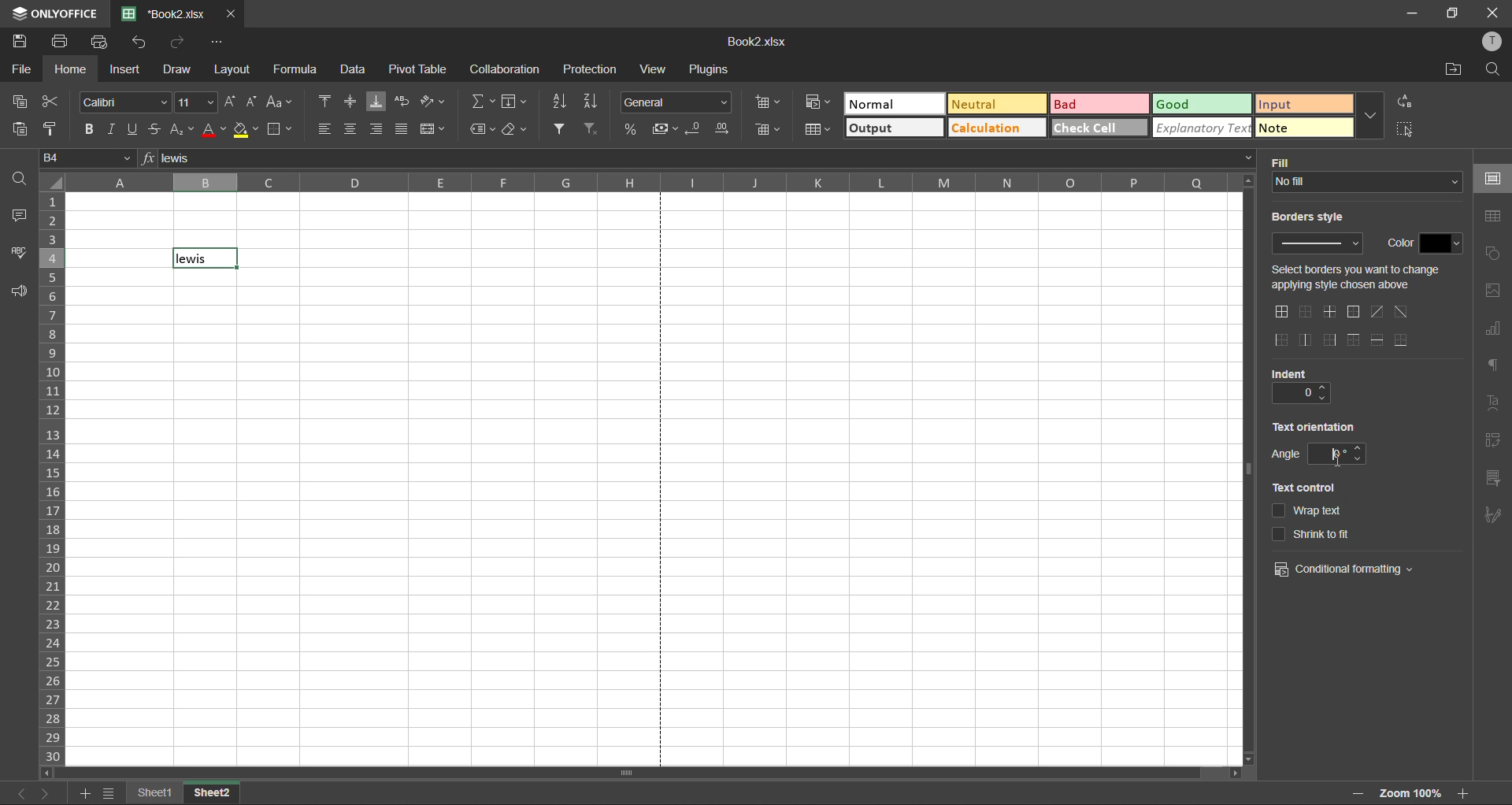  What do you see at coordinates (893, 102) in the screenshot?
I see `normal` at bounding box center [893, 102].